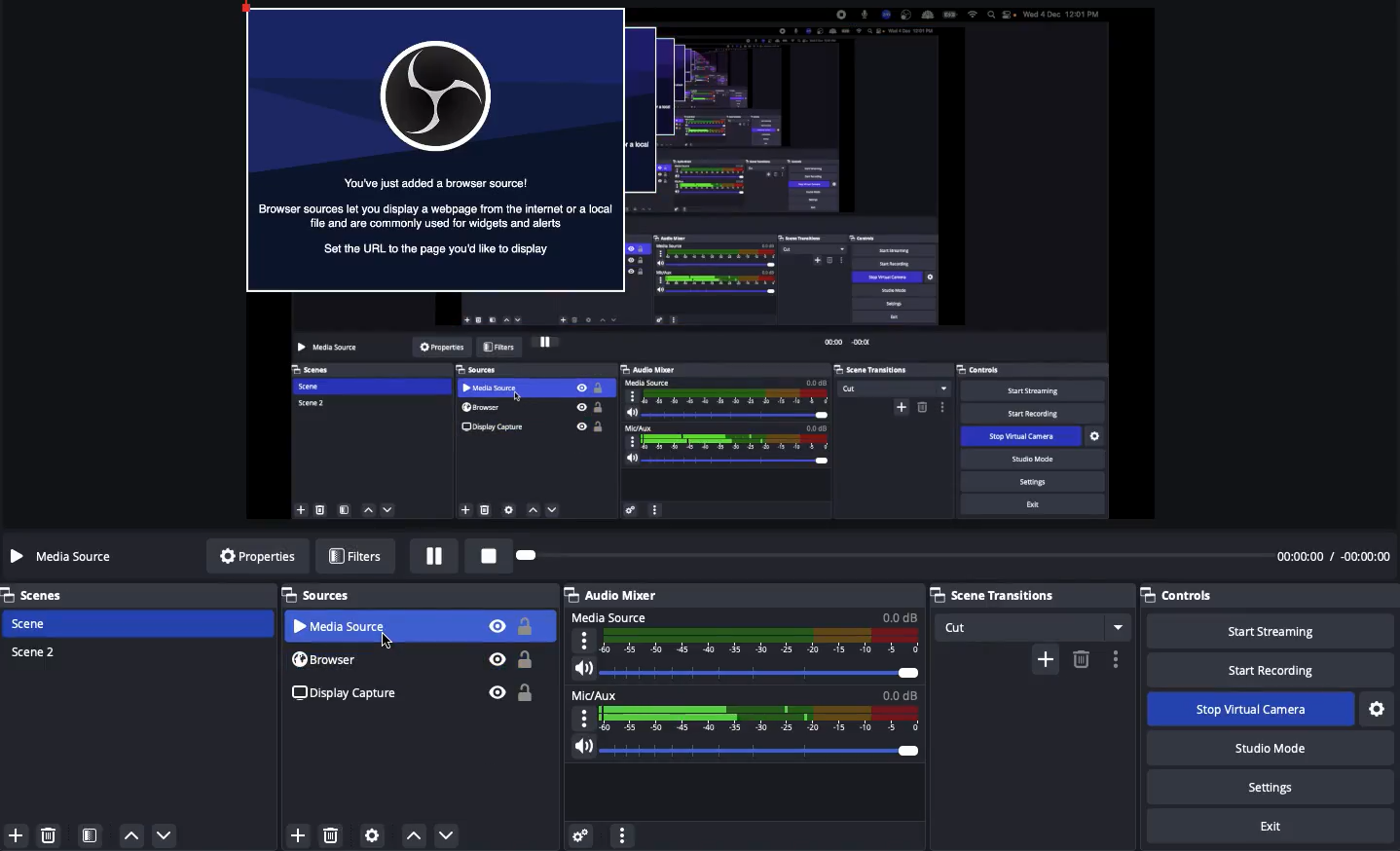 The image size is (1400, 851). I want to click on Scene transition, so click(1030, 593).